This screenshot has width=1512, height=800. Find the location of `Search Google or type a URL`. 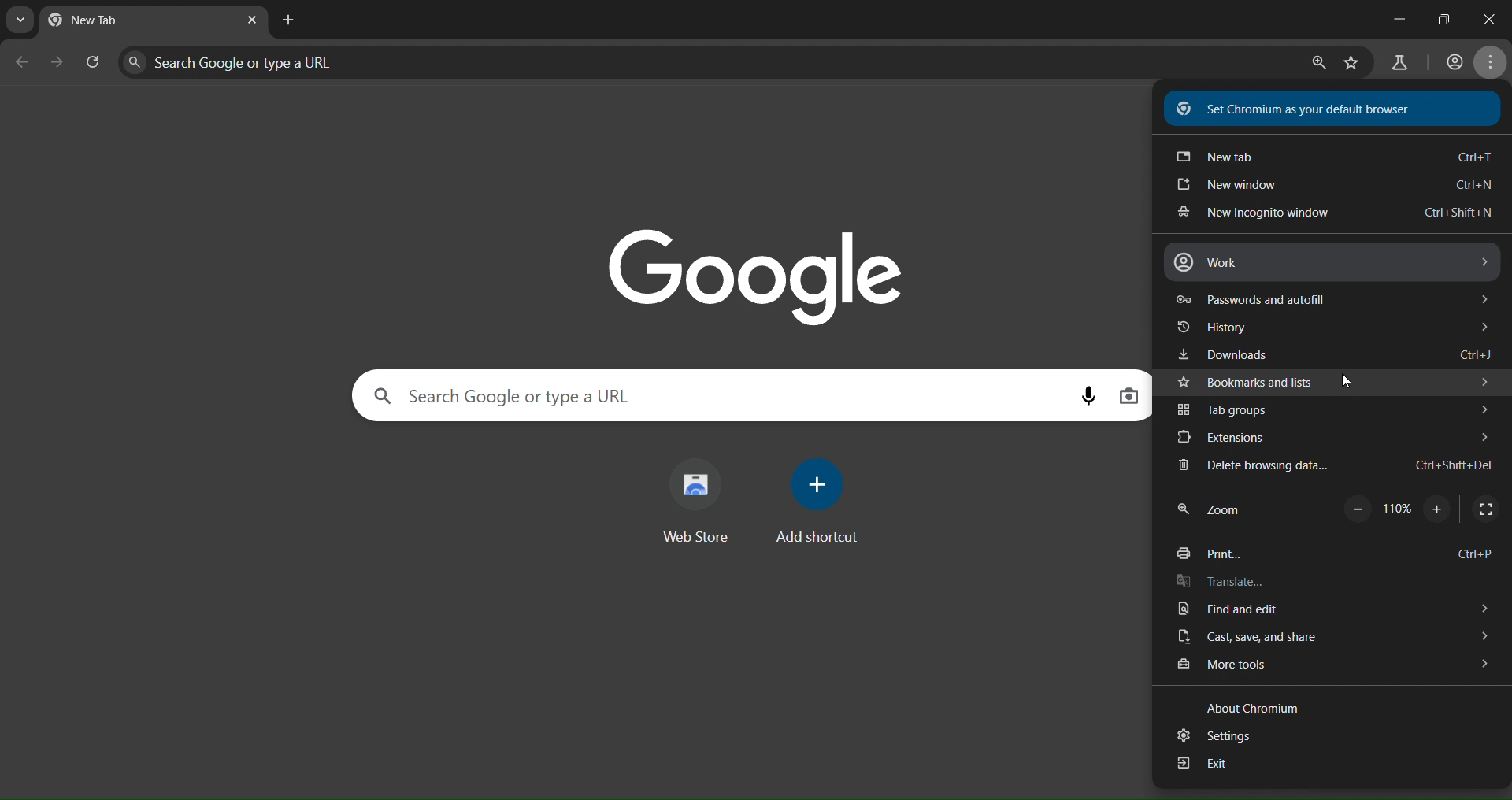

Search Google or type a URL is located at coordinates (713, 60).